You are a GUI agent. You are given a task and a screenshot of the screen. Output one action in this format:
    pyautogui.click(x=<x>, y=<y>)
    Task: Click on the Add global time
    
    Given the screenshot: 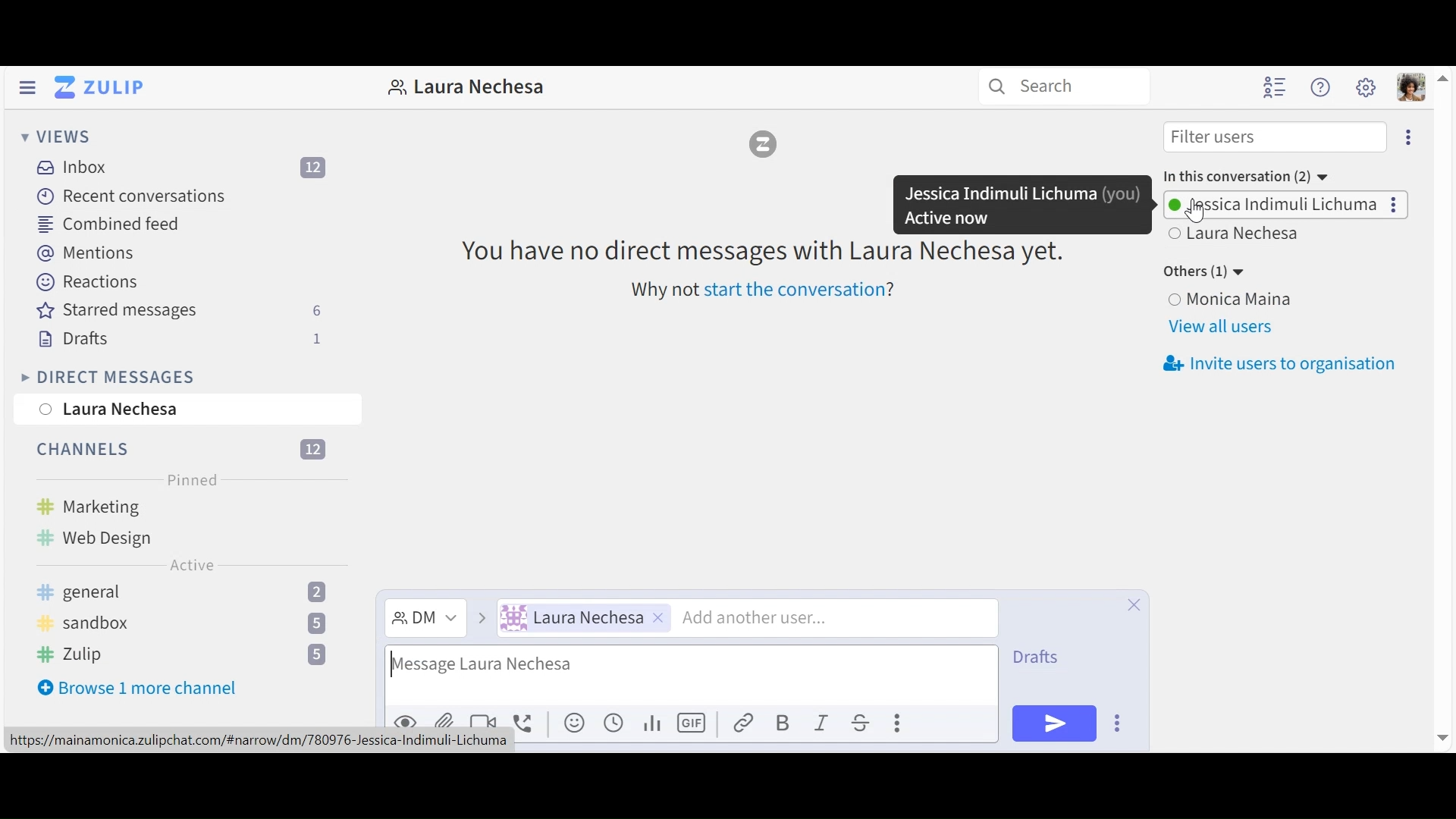 What is the action you would take?
    pyautogui.click(x=617, y=723)
    